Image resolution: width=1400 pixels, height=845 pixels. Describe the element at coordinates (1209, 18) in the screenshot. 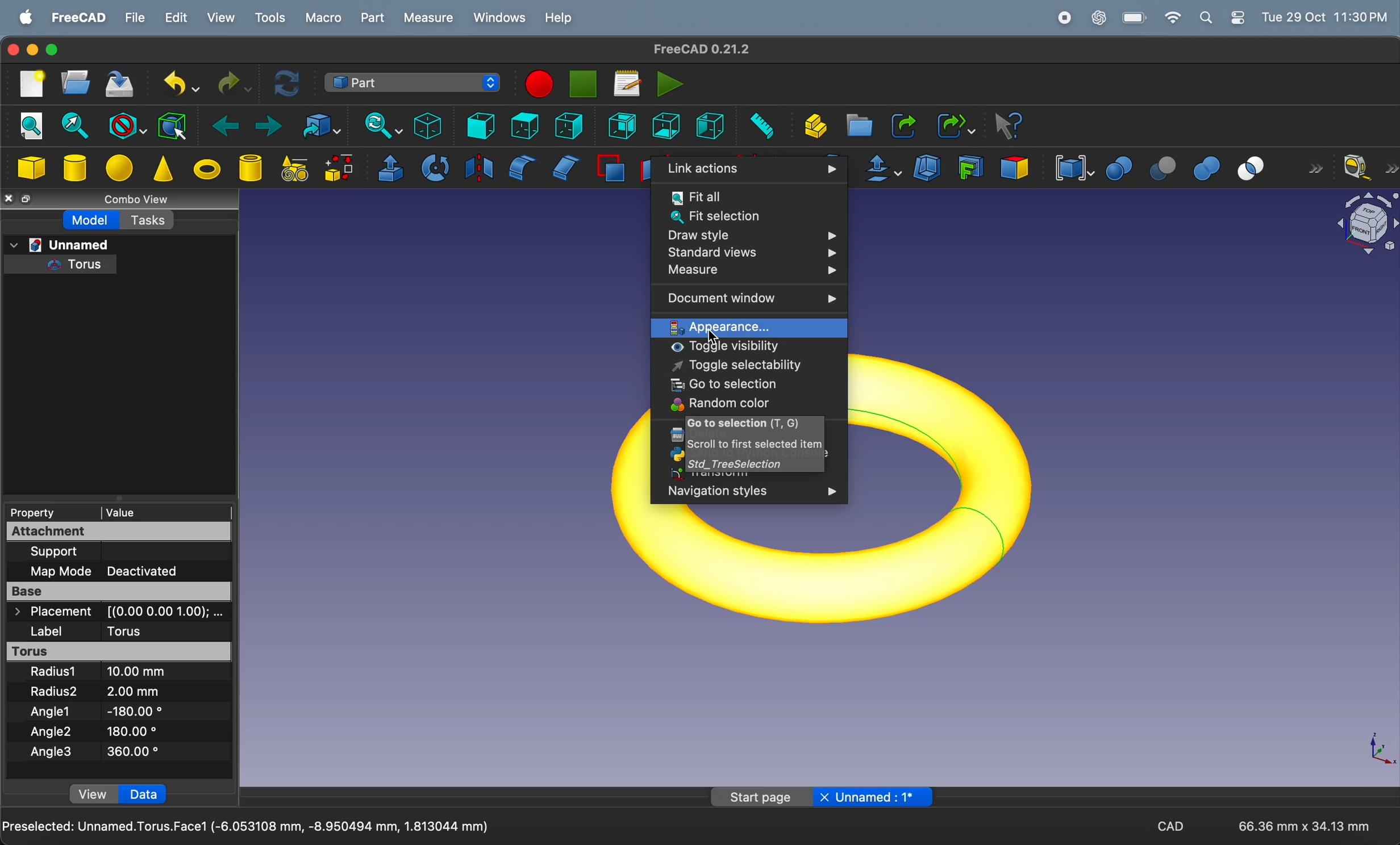

I see `apple widgets` at that location.